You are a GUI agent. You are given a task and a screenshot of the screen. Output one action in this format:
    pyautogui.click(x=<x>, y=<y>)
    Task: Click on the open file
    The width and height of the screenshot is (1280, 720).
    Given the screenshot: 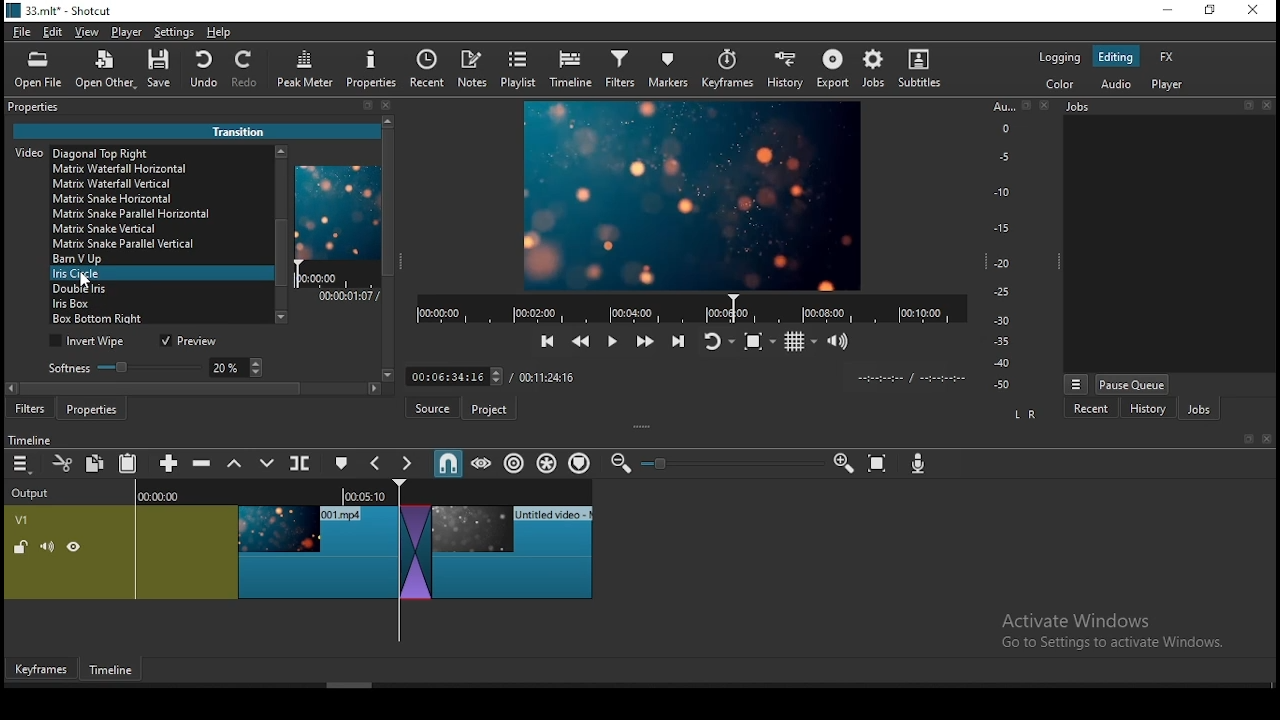 What is the action you would take?
    pyautogui.click(x=43, y=72)
    